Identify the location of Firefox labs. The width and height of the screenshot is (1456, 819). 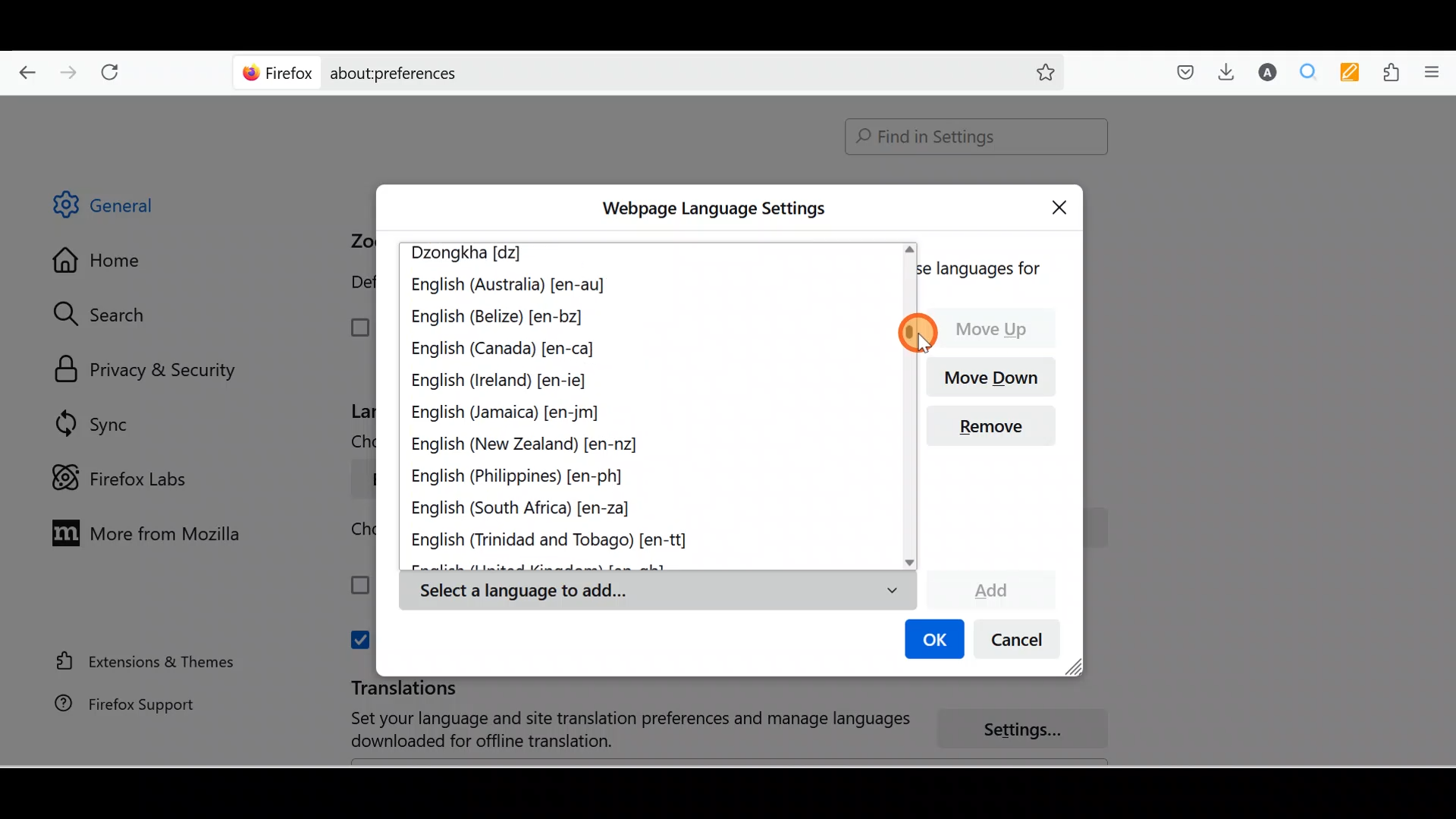
(124, 479).